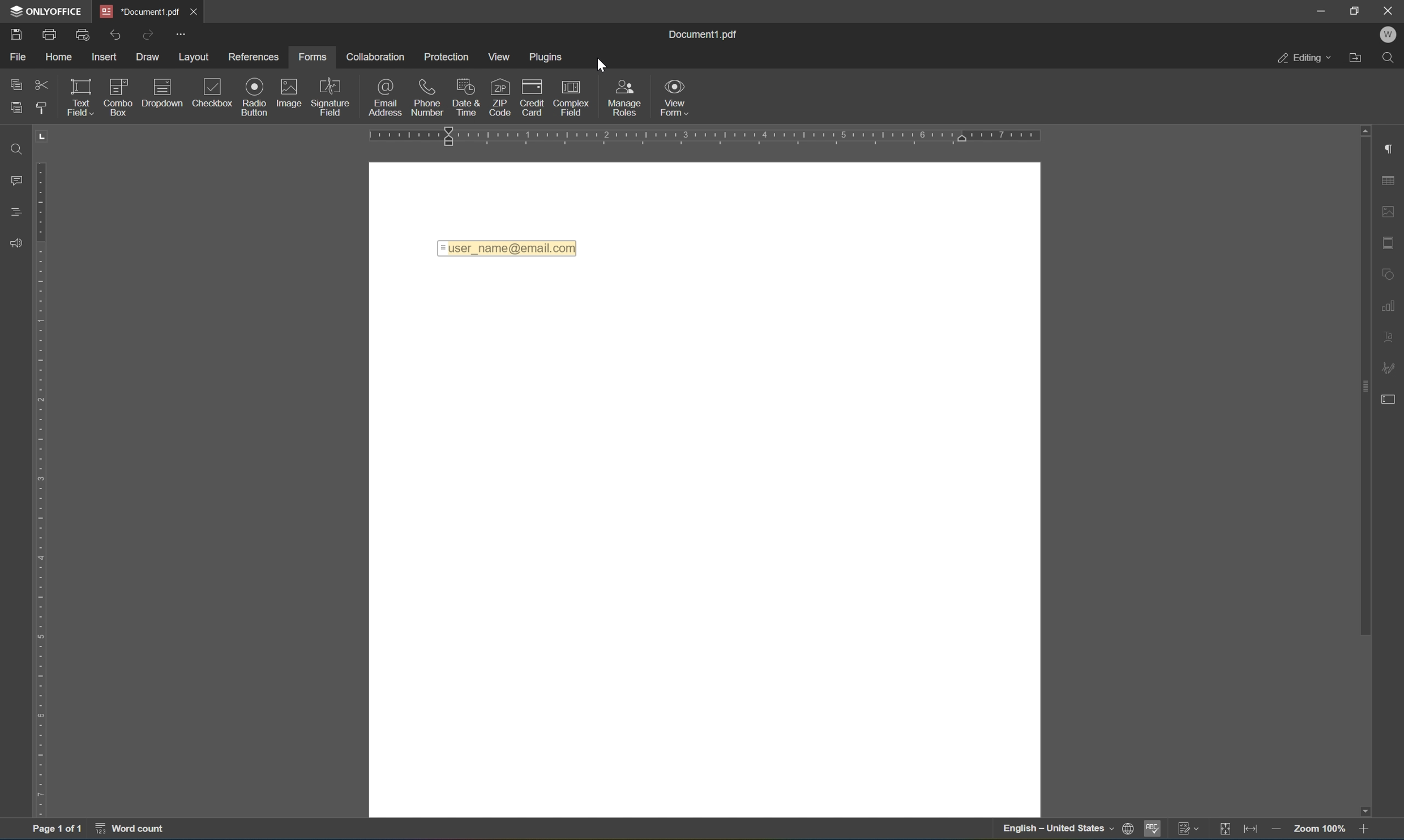  I want to click on spell checking, so click(1153, 830).